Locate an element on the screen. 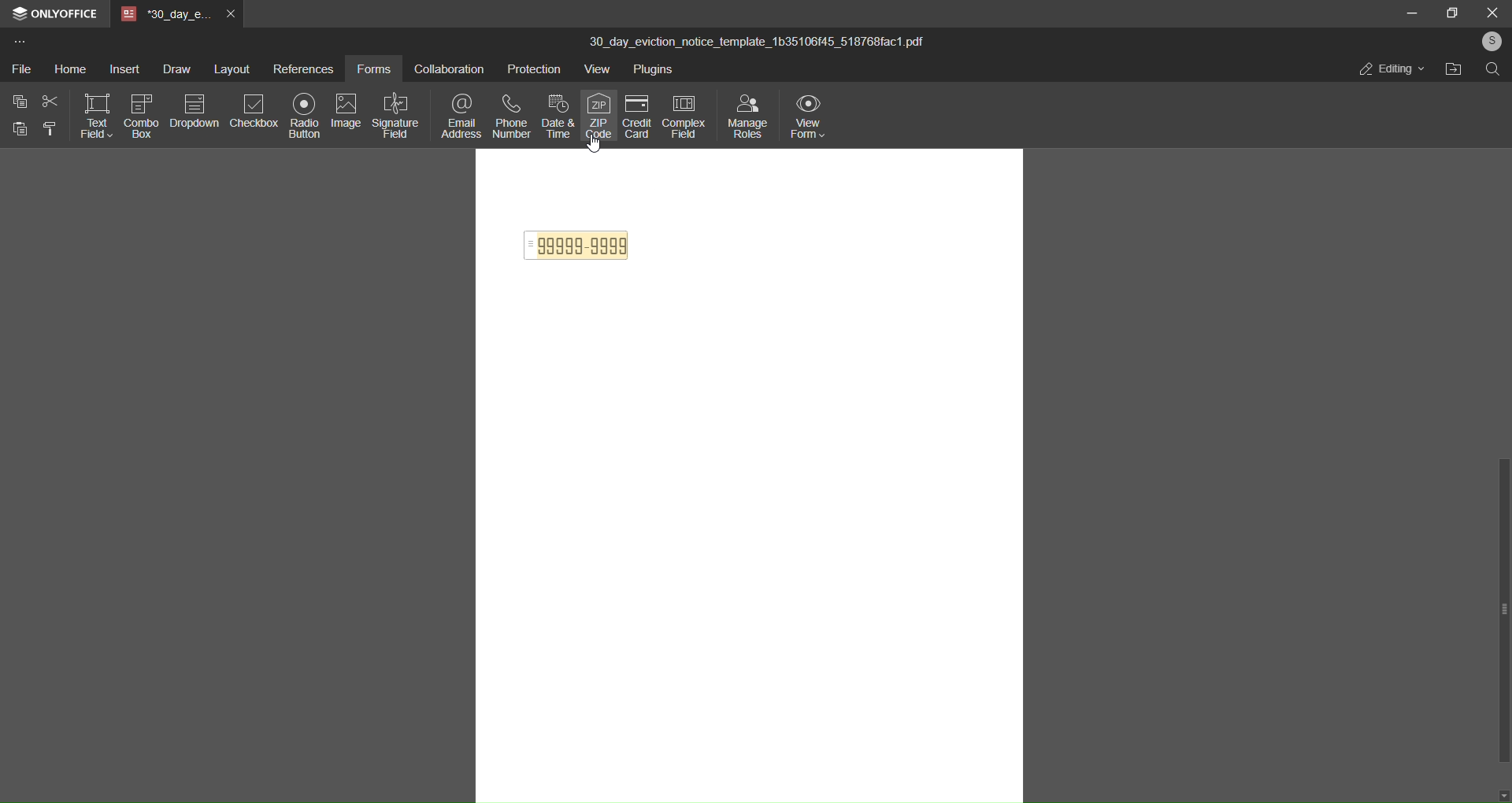 The width and height of the screenshot is (1512, 803). checkbox is located at coordinates (254, 110).